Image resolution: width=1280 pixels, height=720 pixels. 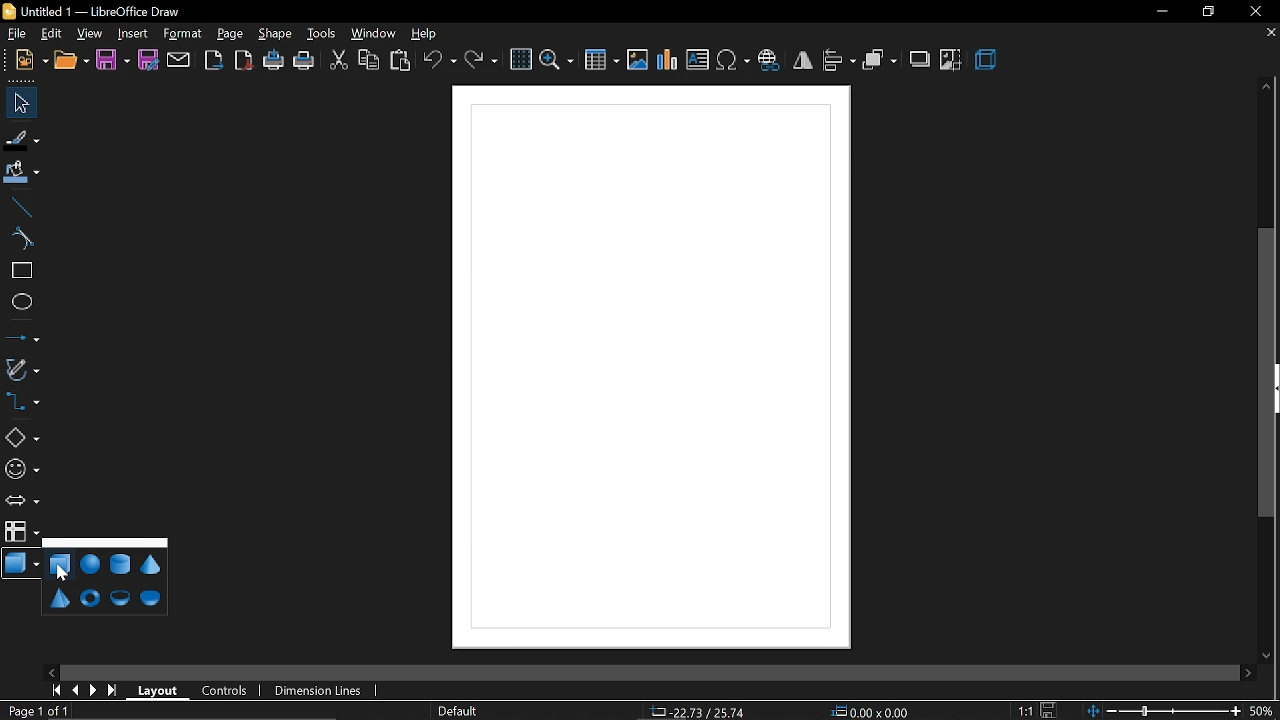 I want to click on view, so click(x=91, y=34).